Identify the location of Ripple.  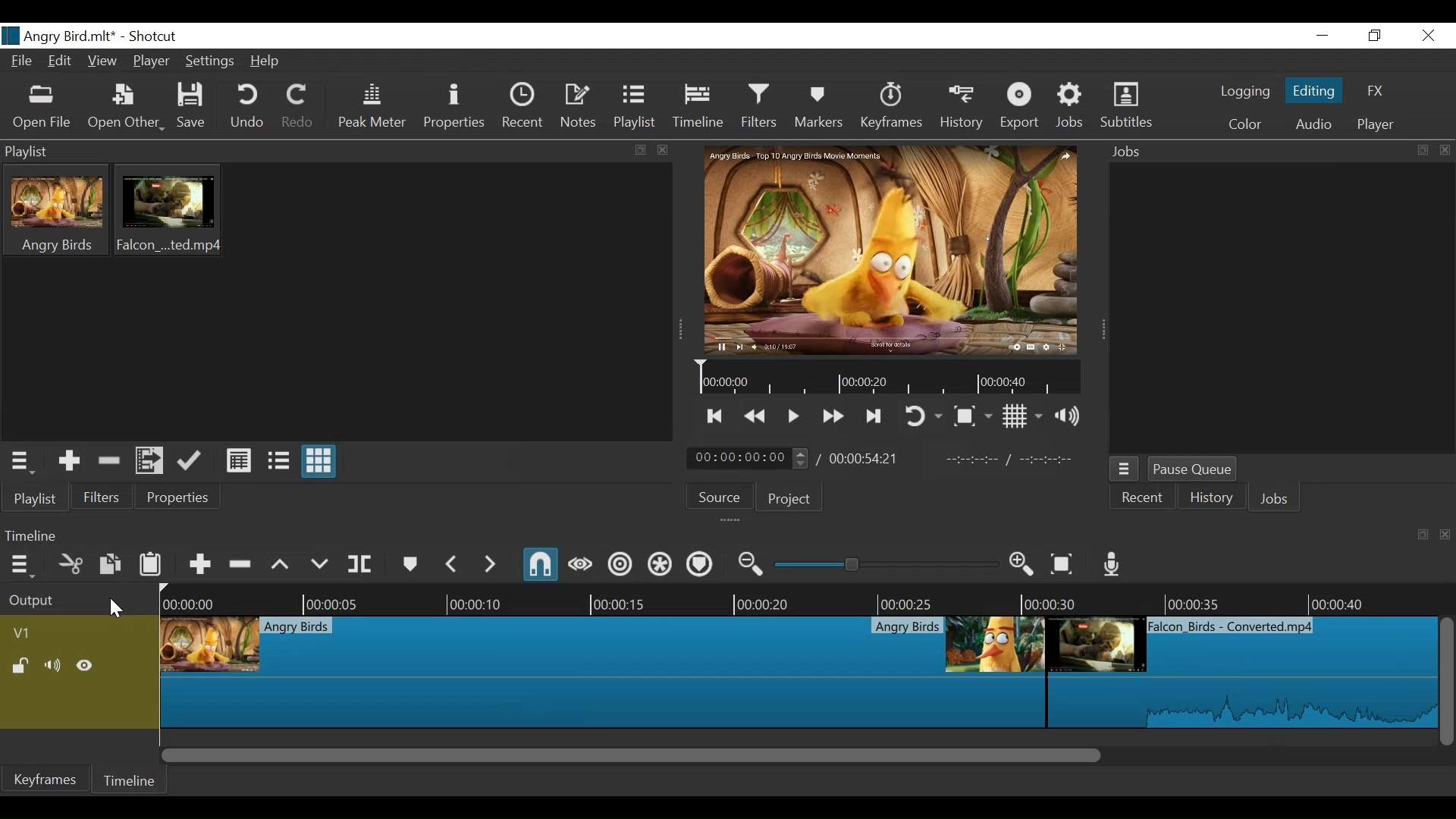
(620, 566).